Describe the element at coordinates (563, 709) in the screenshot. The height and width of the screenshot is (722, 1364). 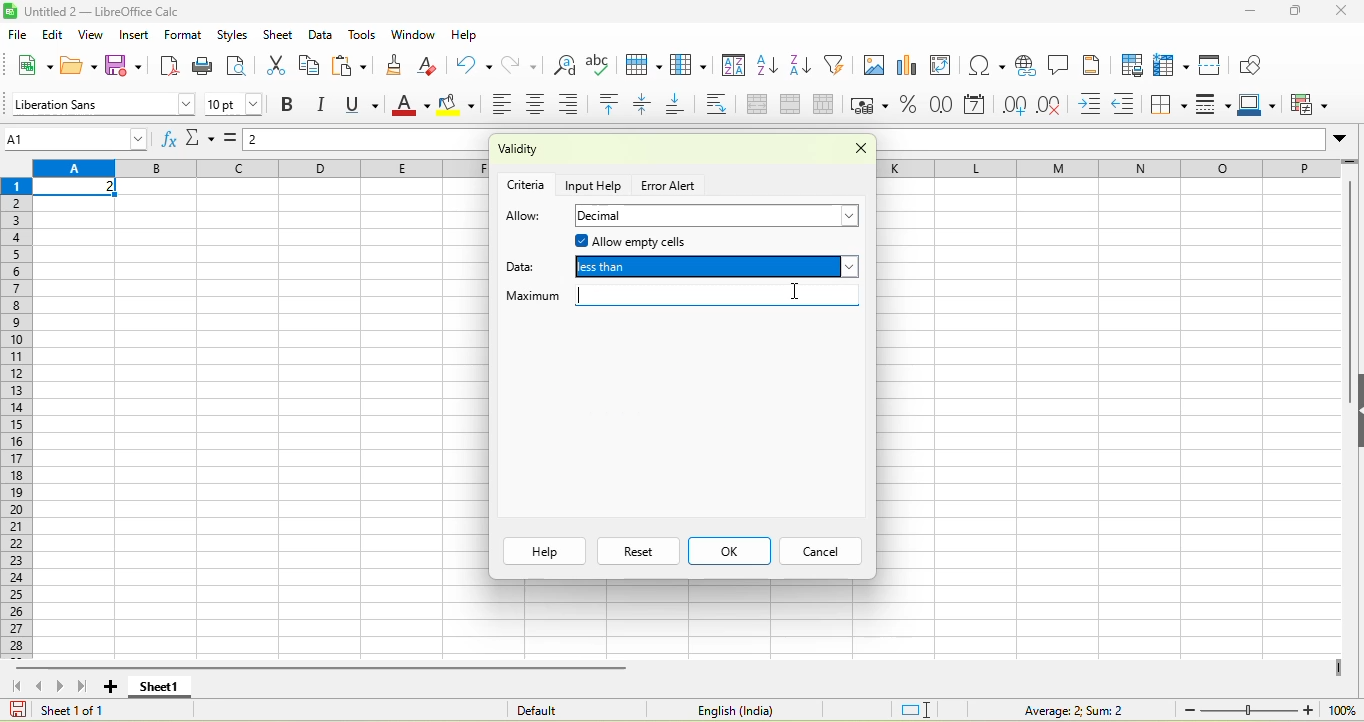
I see `default` at that location.